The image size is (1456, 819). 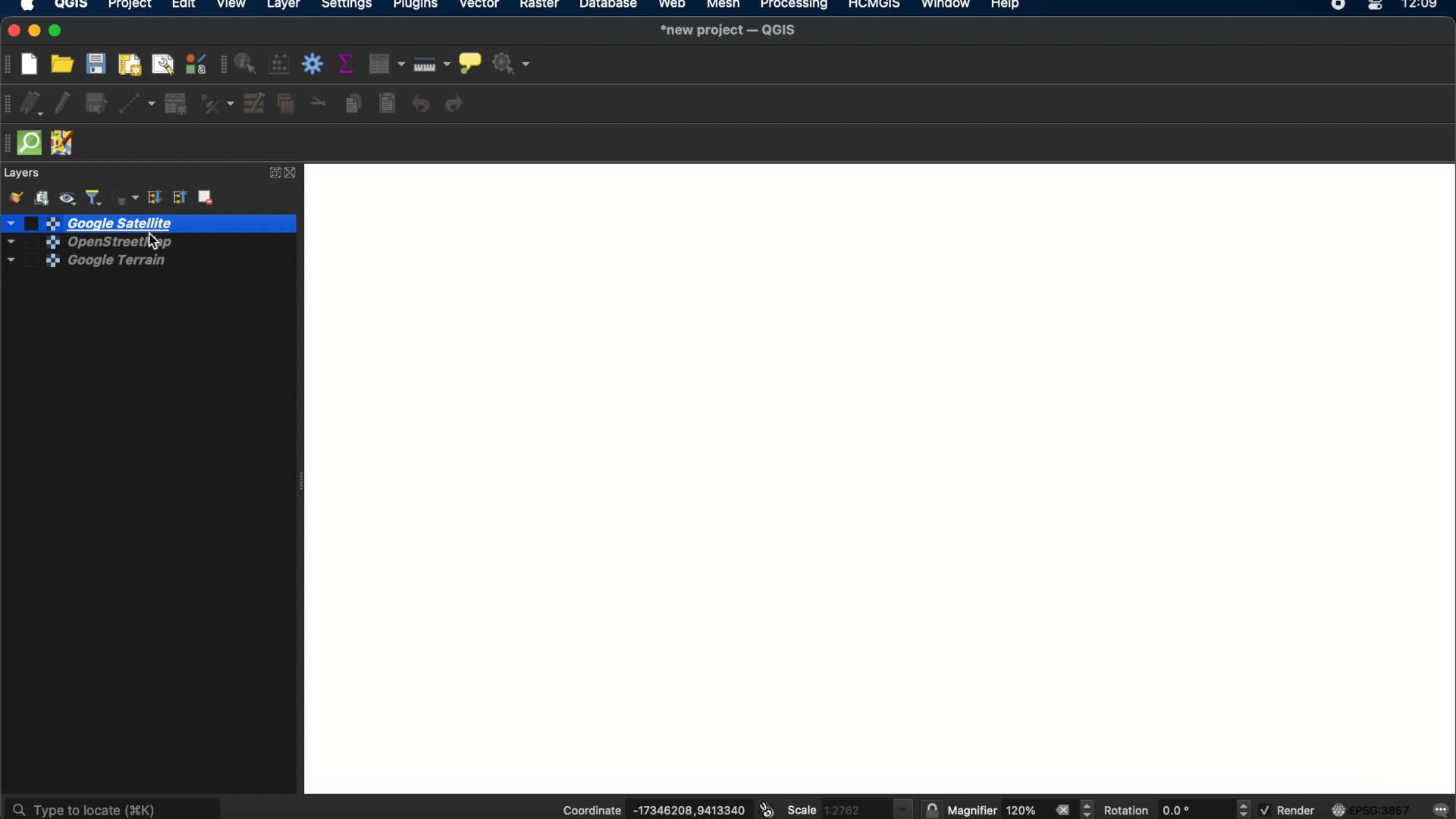 I want to click on project toolbar, so click(x=9, y=64).